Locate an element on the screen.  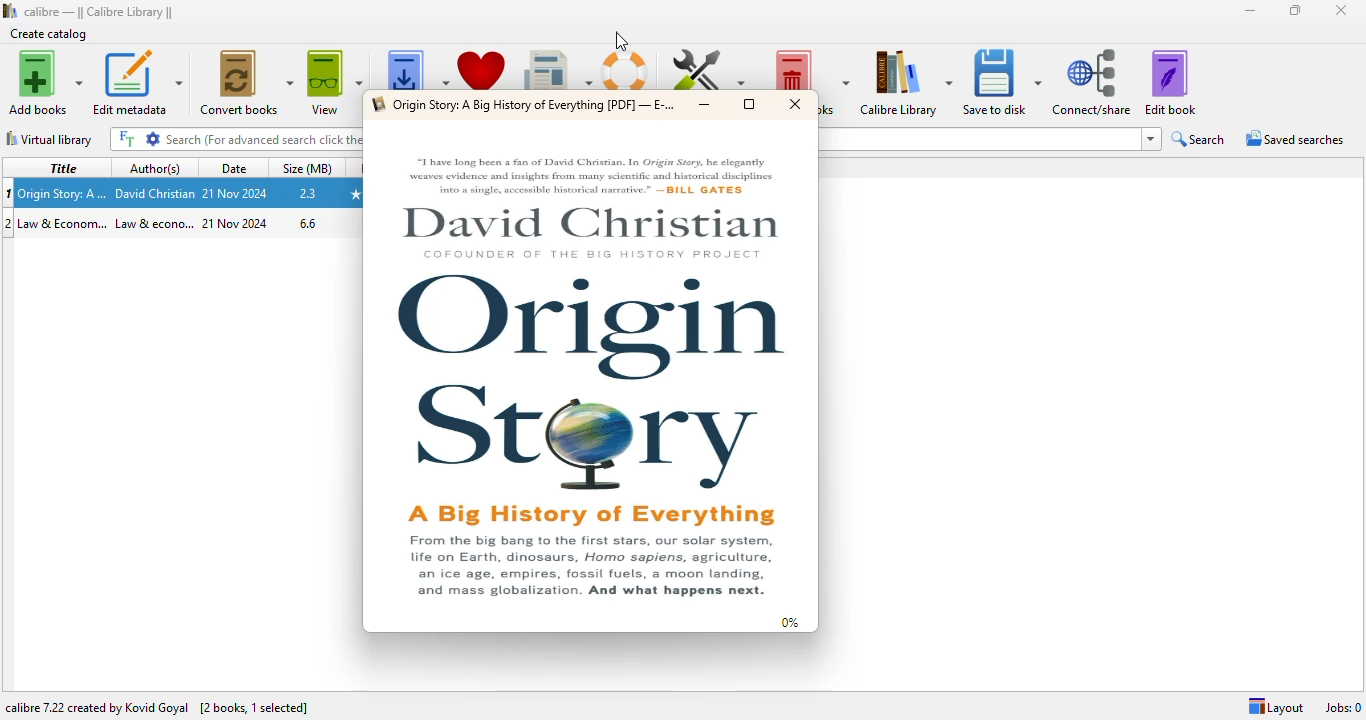
close is located at coordinates (1342, 10).